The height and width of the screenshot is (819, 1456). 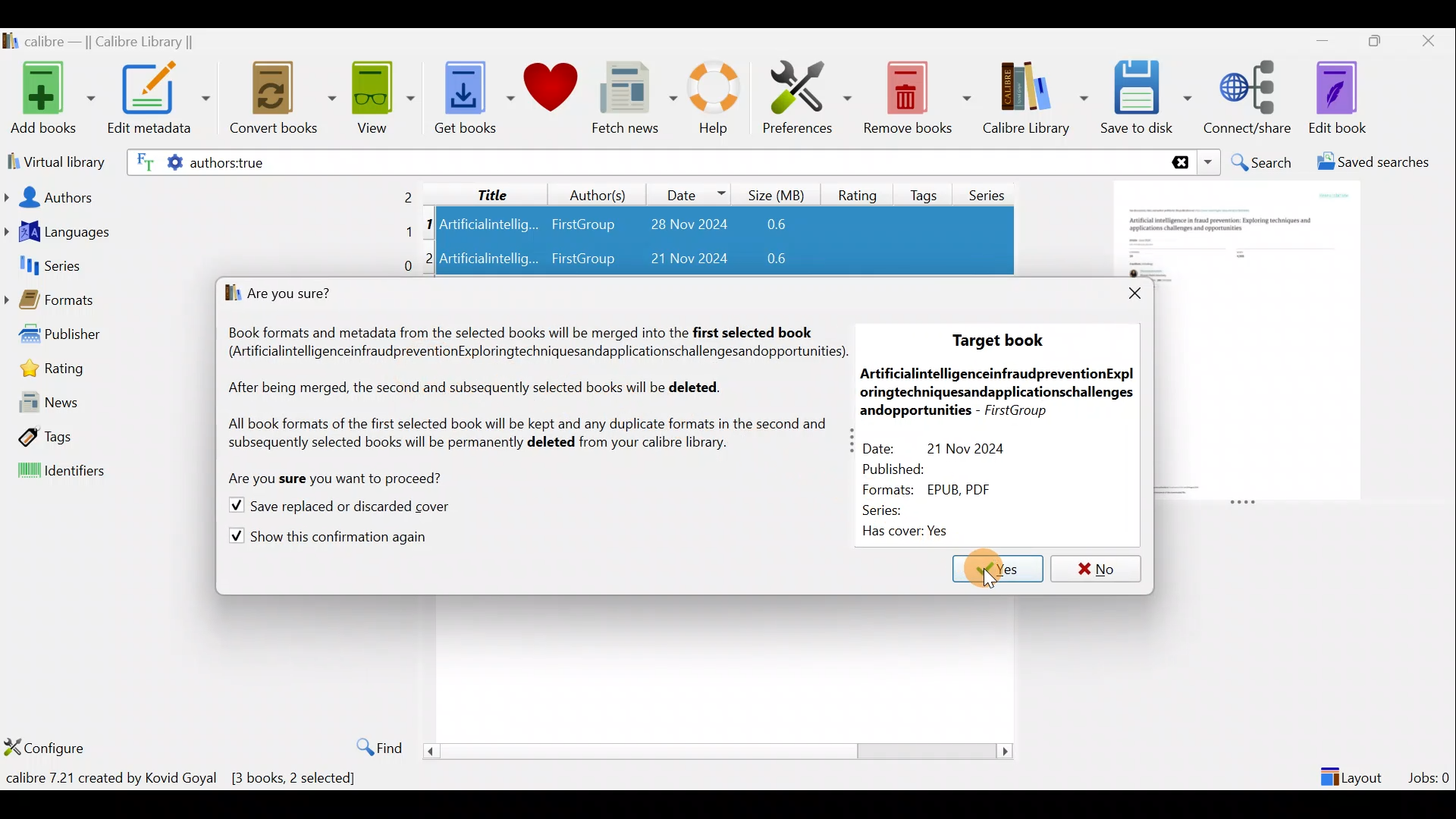 What do you see at coordinates (997, 570) in the screenshot?
I see `Cursor` at bounding box center [997, 570].